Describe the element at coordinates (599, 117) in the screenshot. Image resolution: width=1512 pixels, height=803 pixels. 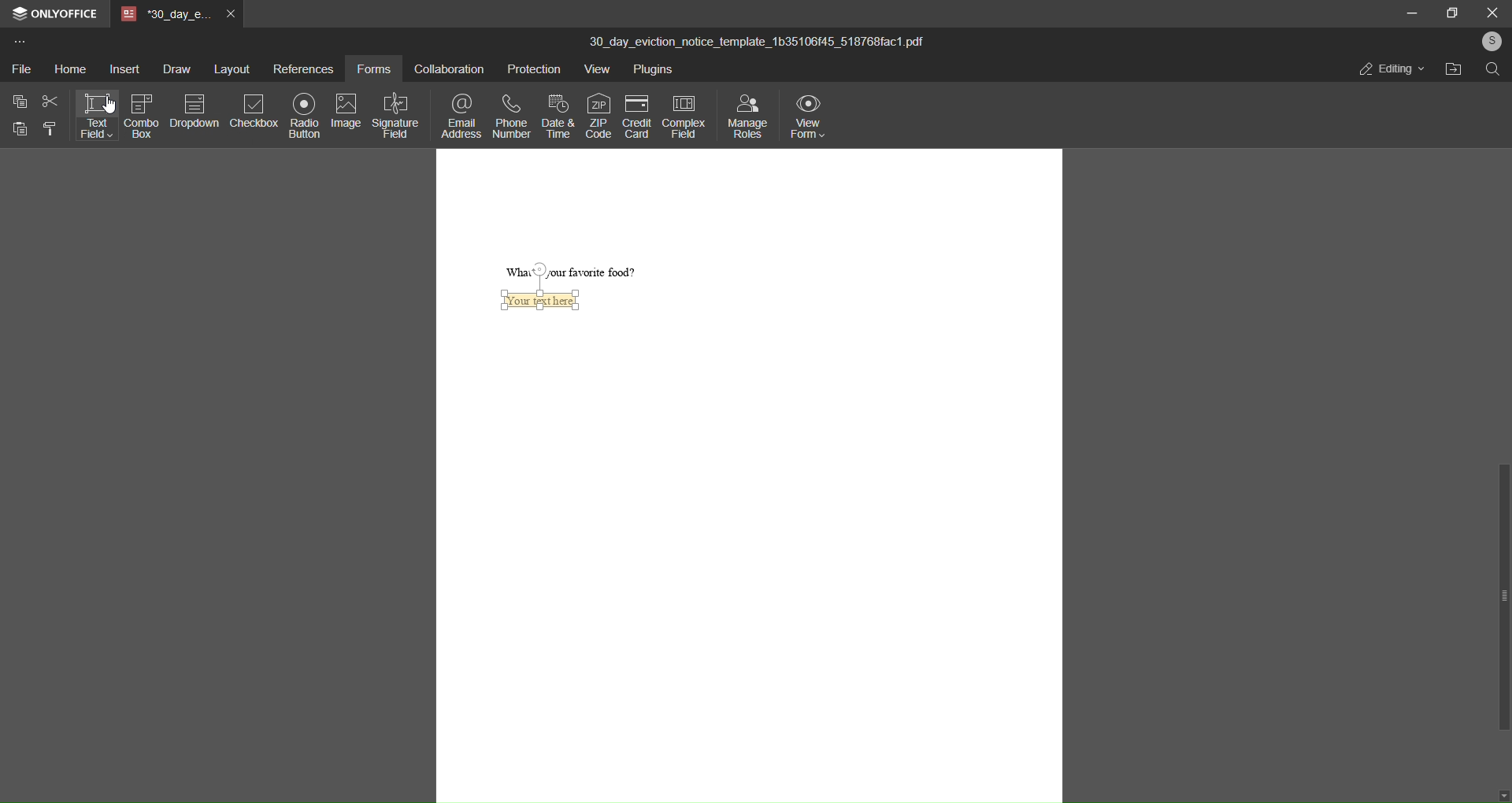
I see `zip code` at that location.